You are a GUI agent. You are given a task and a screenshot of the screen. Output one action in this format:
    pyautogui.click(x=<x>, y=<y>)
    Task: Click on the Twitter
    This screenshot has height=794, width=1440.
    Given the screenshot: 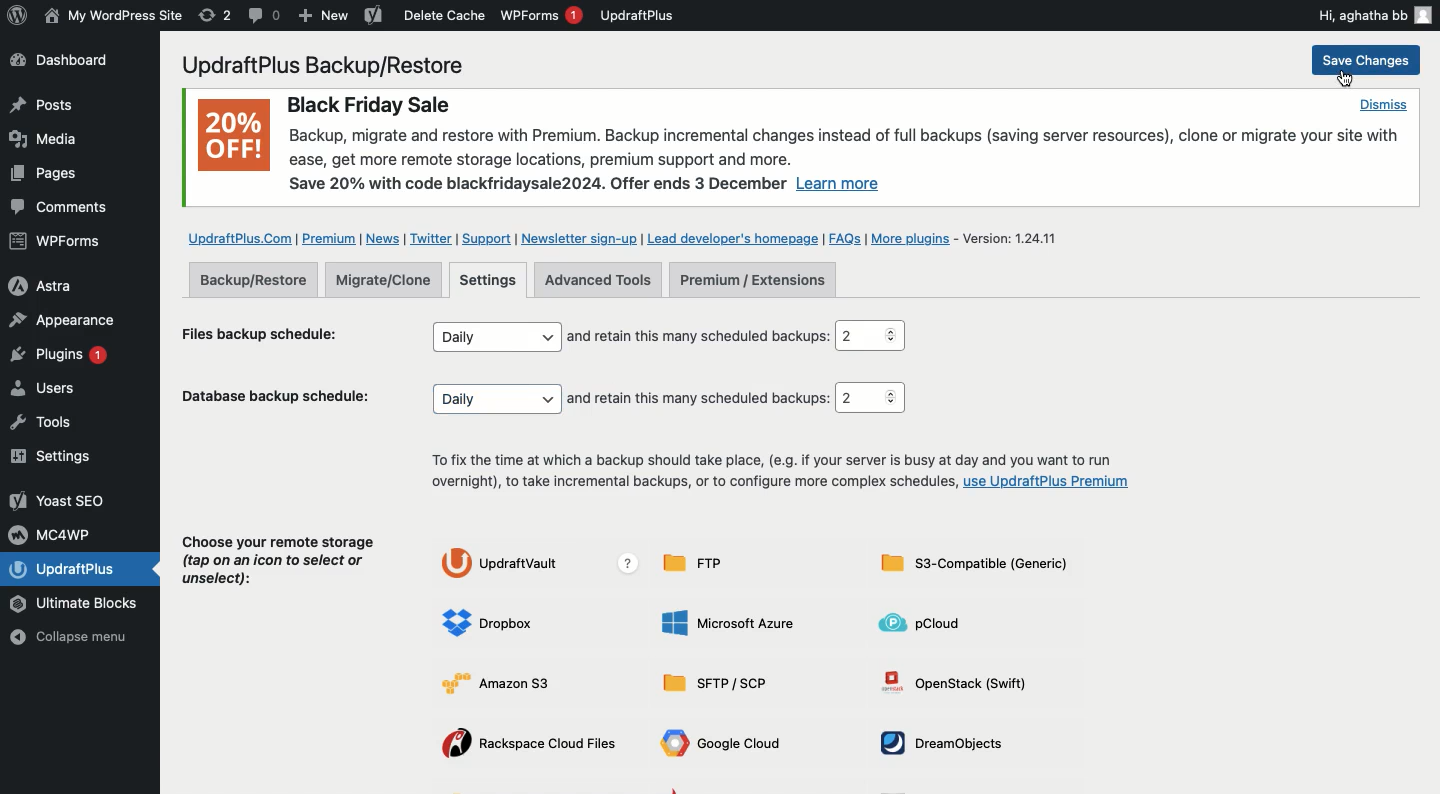 What is the action you would take?
    pyautogui.click(x=431, y=239)
    